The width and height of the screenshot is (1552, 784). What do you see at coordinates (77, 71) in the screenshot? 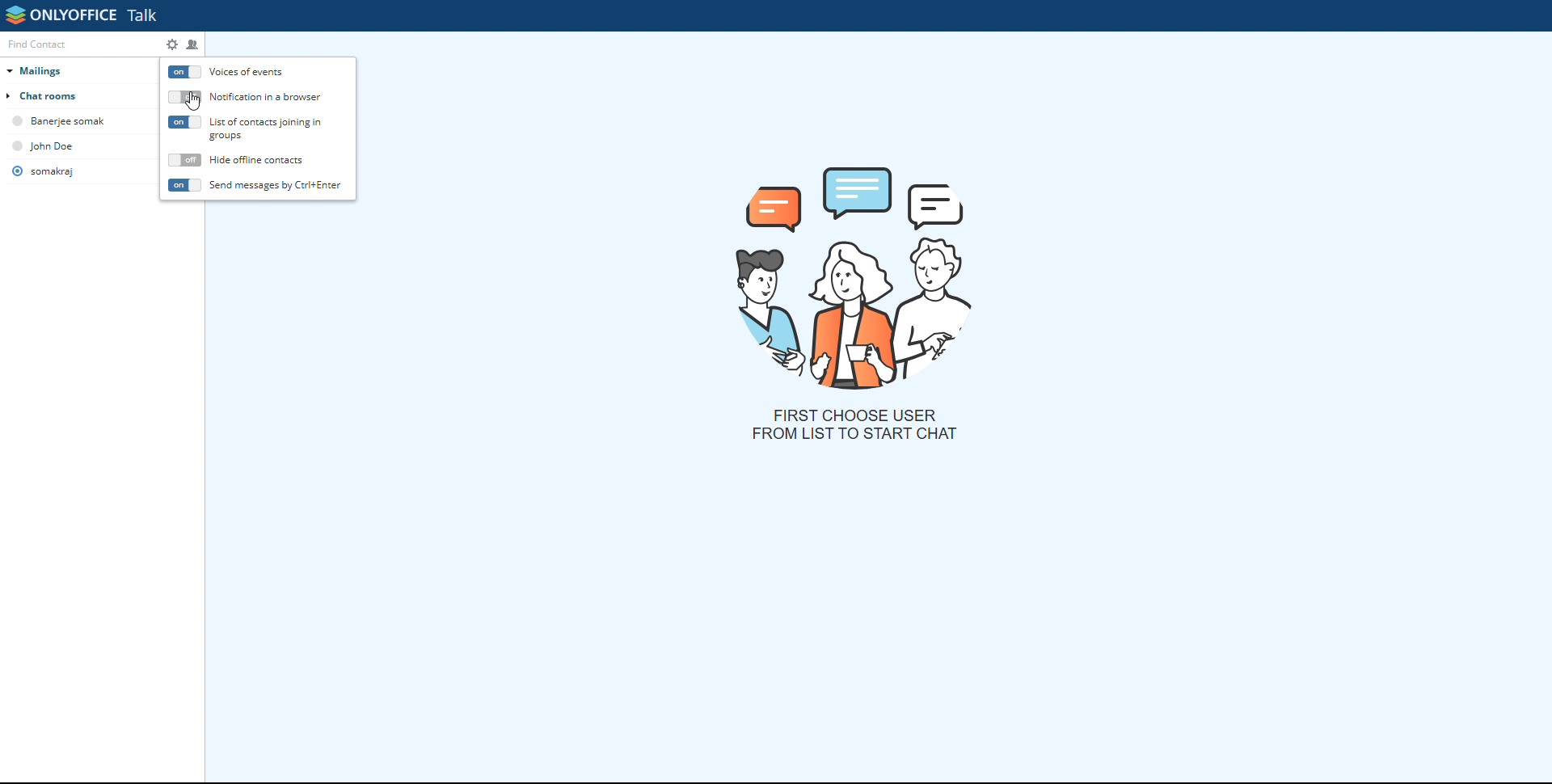
I see `mailings` at bounding box center [77, 71].